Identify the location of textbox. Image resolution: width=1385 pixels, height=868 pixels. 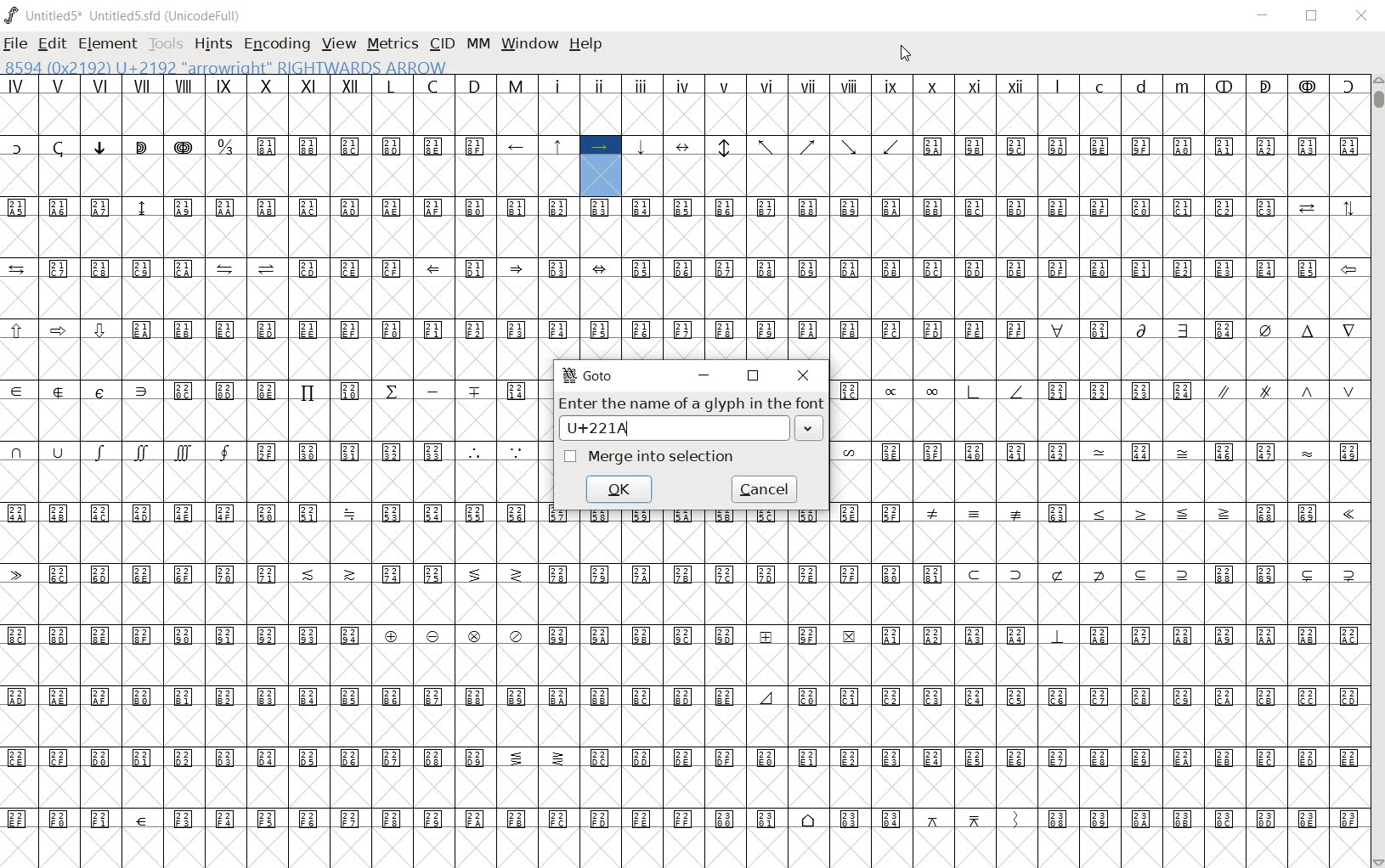
(692, 429).